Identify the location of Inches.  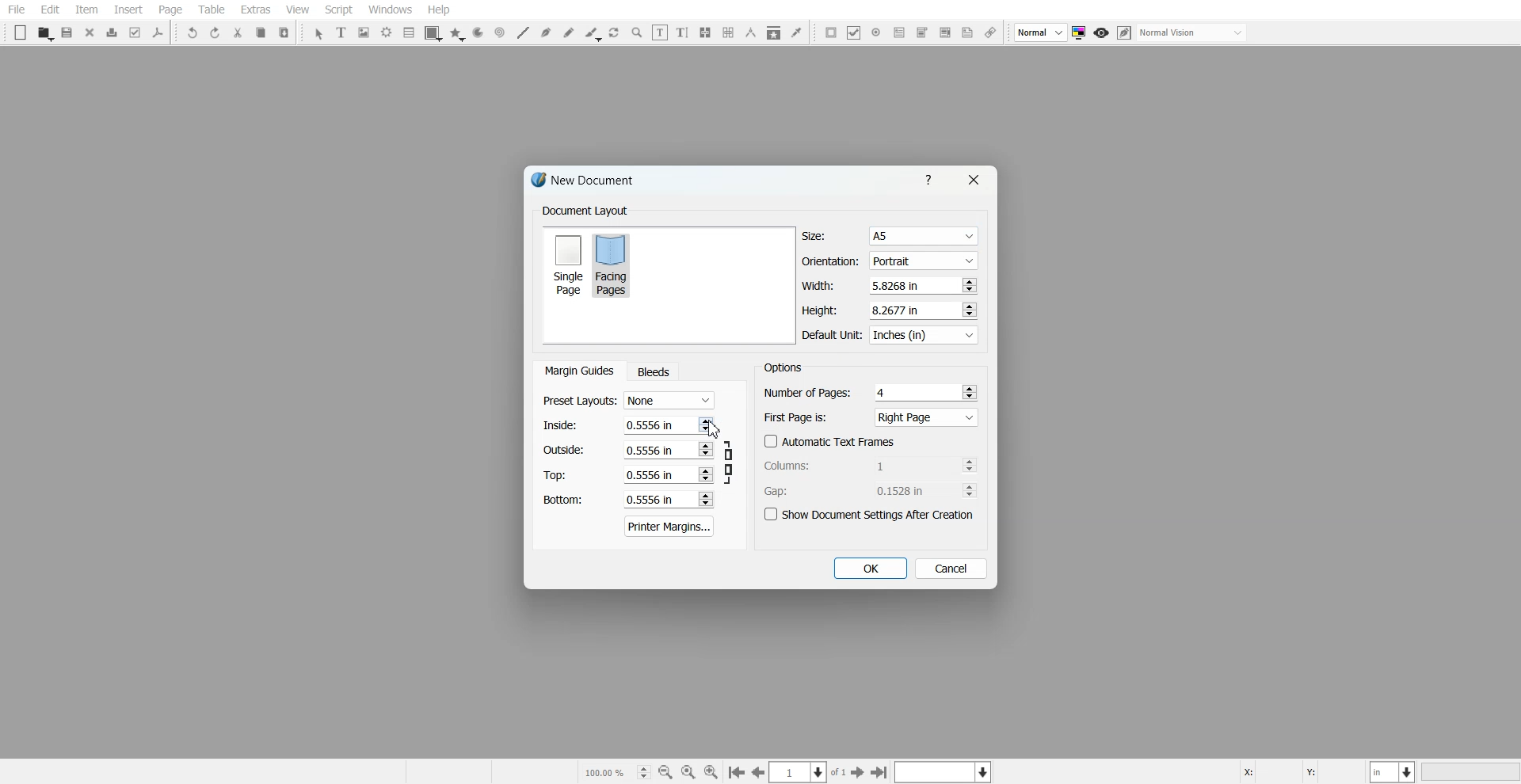
(924, 336).